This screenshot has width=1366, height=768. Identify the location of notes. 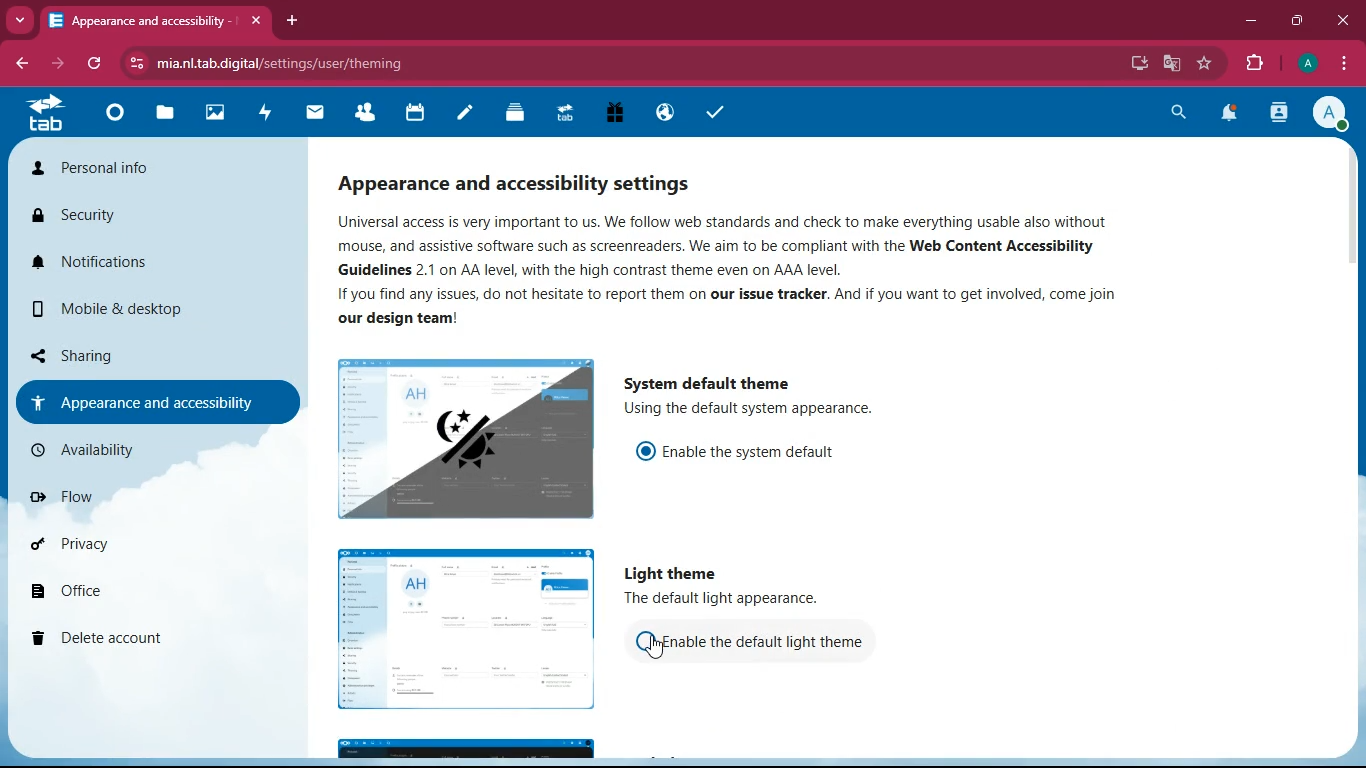
(460, 115).